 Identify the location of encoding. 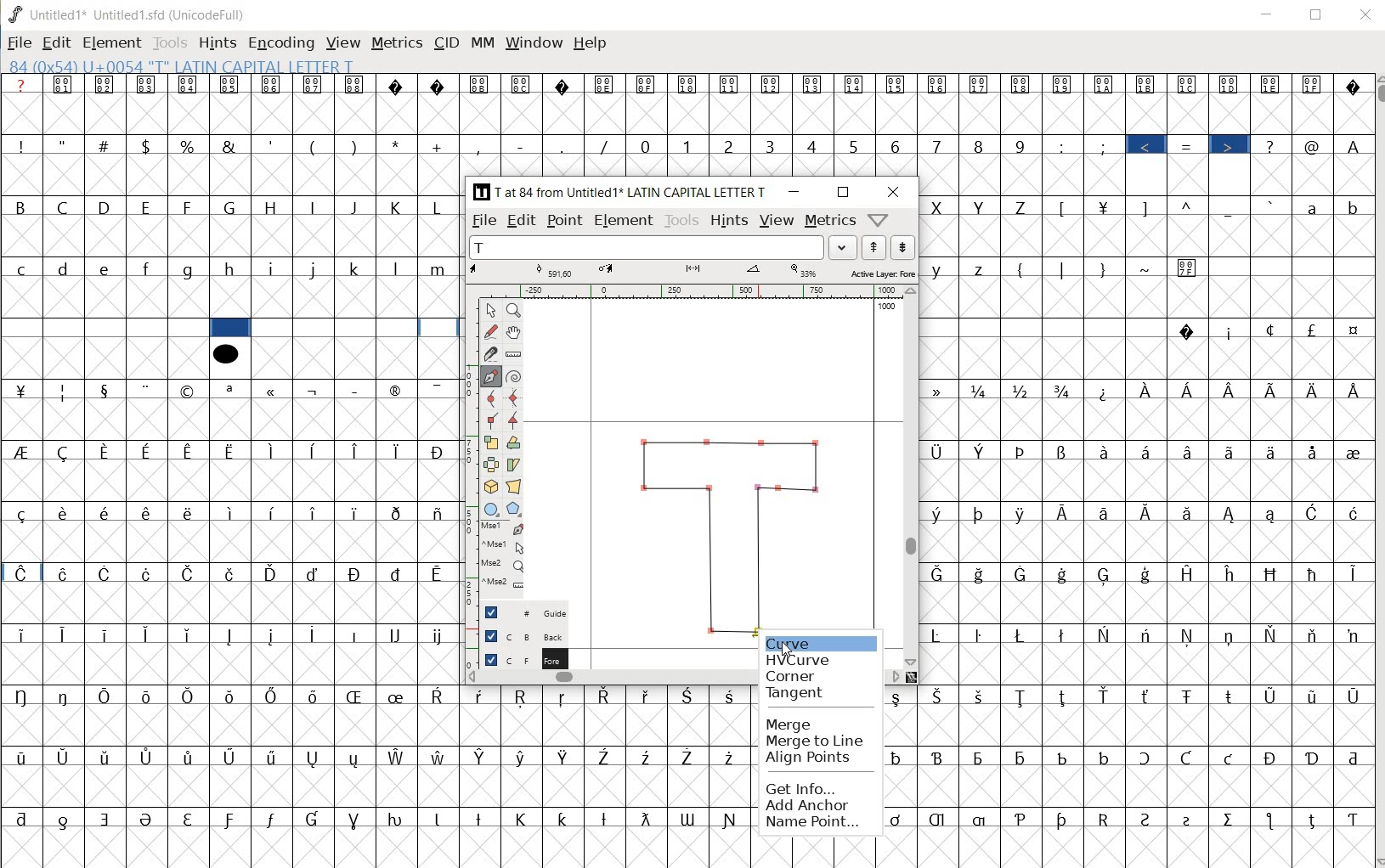
(280, 44).